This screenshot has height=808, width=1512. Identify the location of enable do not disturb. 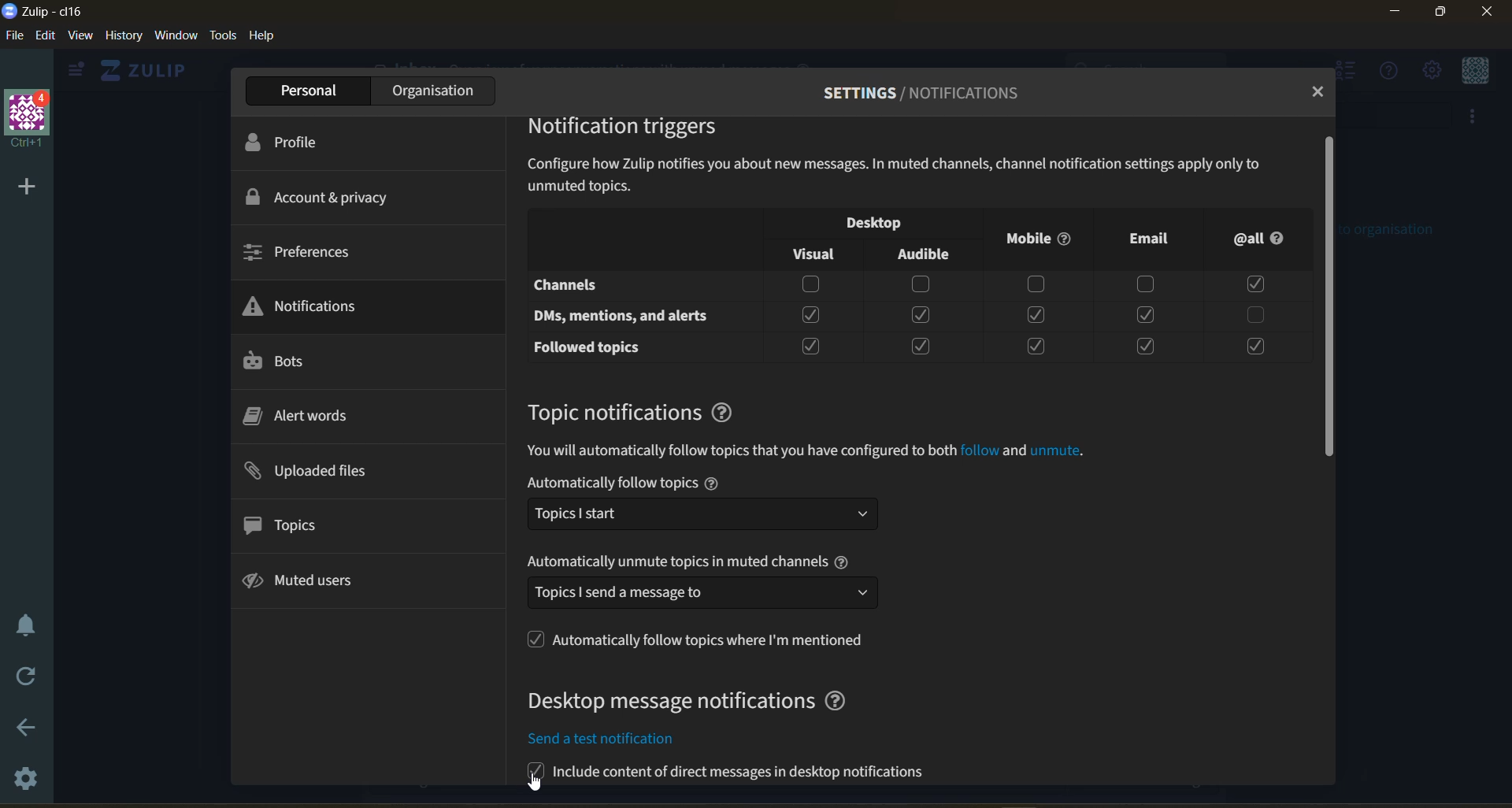
(28, 625).